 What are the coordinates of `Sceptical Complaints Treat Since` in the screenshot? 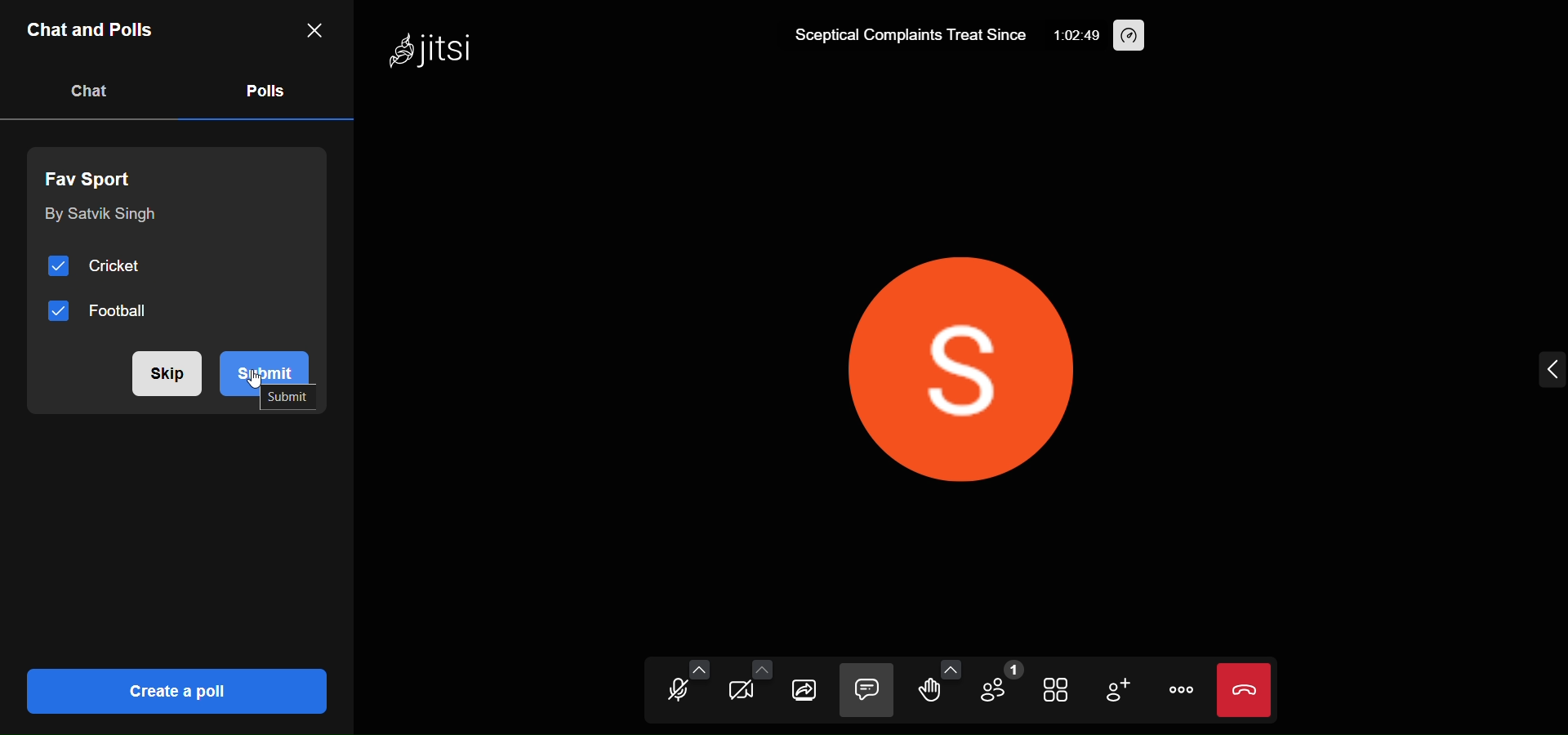 It's located at (907, 39).